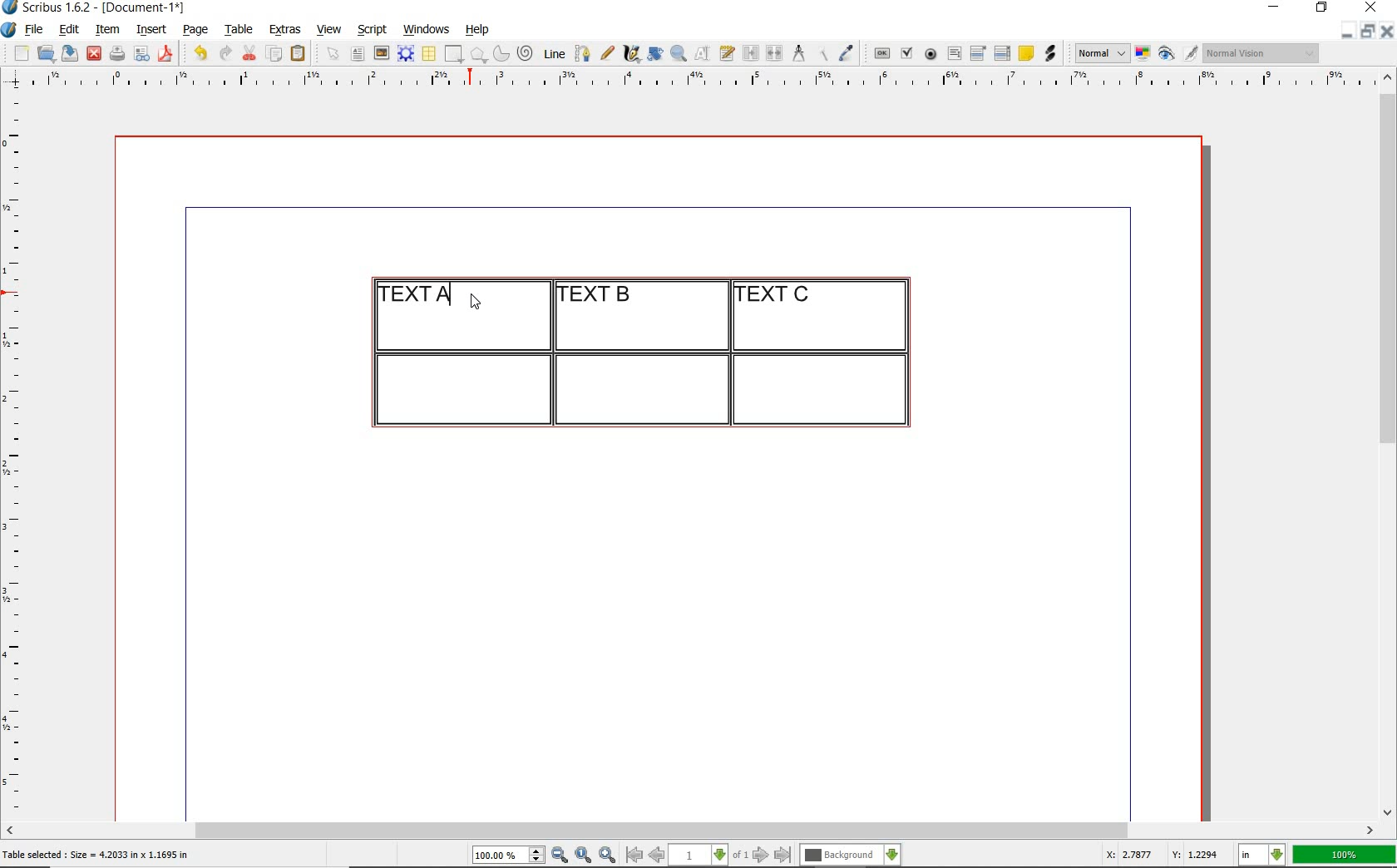 This screenshot has height=868, width=1397. I want to click on select, so click(334, 55).